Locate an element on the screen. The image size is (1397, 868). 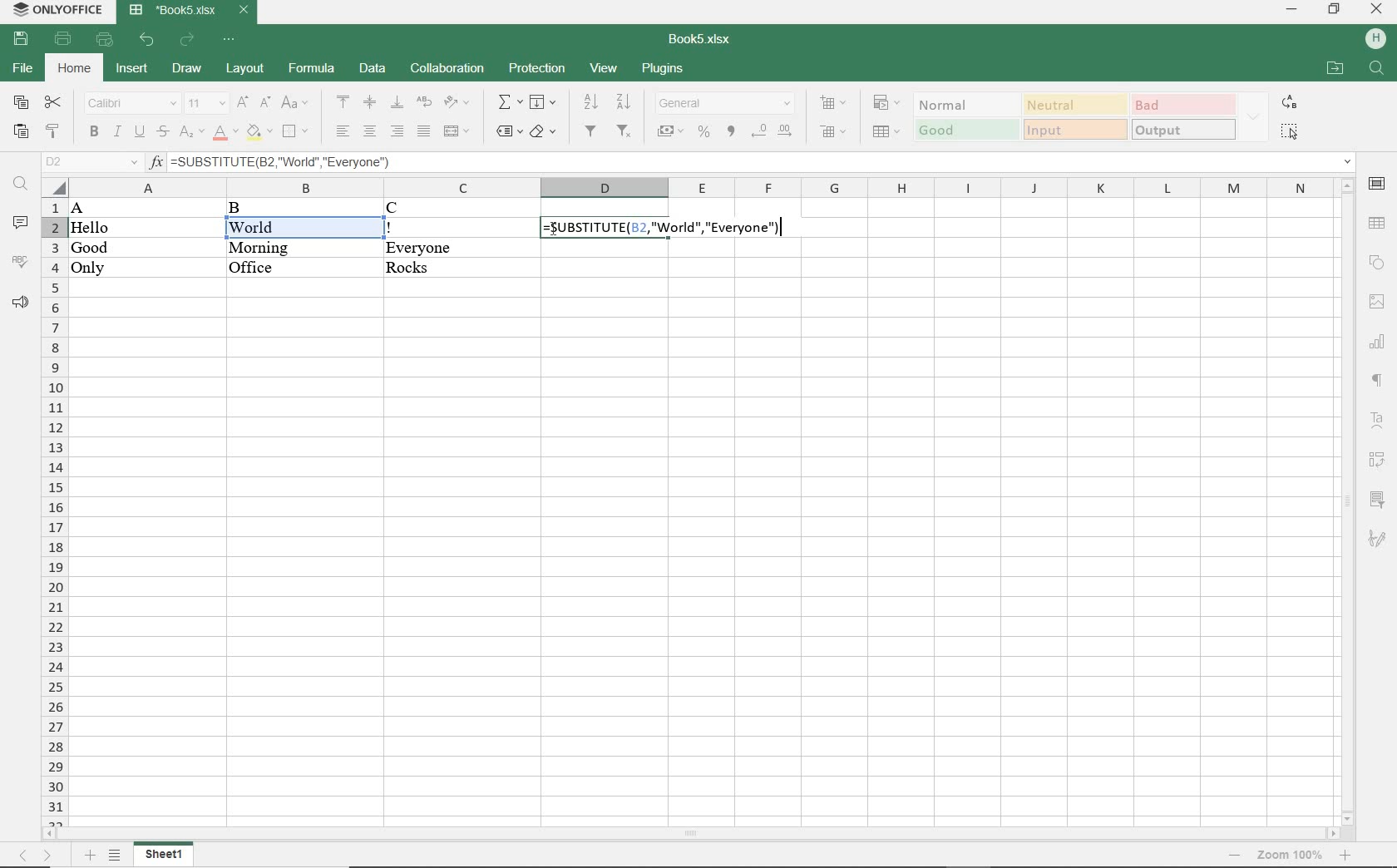
formula is located at coordinates (654, 225).